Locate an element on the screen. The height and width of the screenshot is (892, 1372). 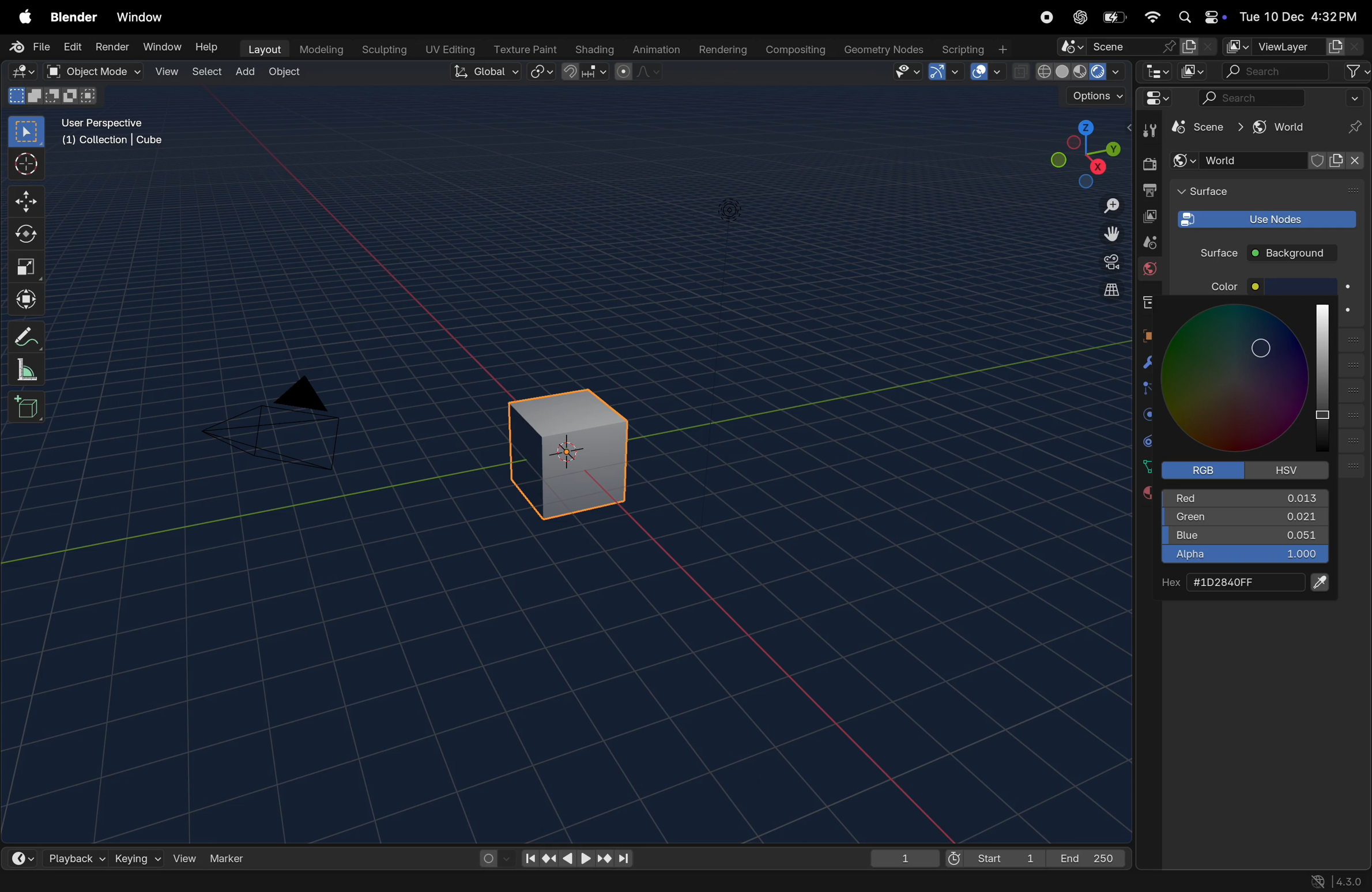
red is located at coordinates (1252, 498).